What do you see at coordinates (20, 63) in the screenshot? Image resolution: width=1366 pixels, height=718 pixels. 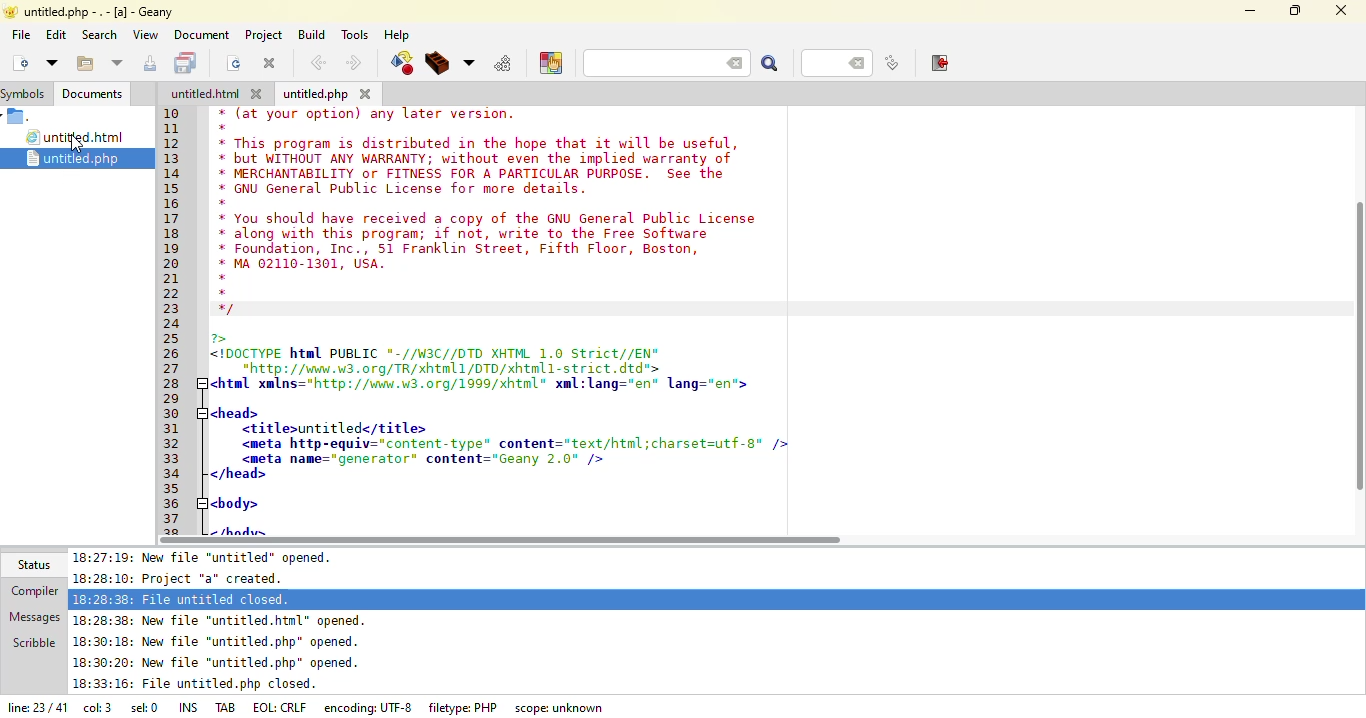 I see `create new file` at bounding box center [20, 63].